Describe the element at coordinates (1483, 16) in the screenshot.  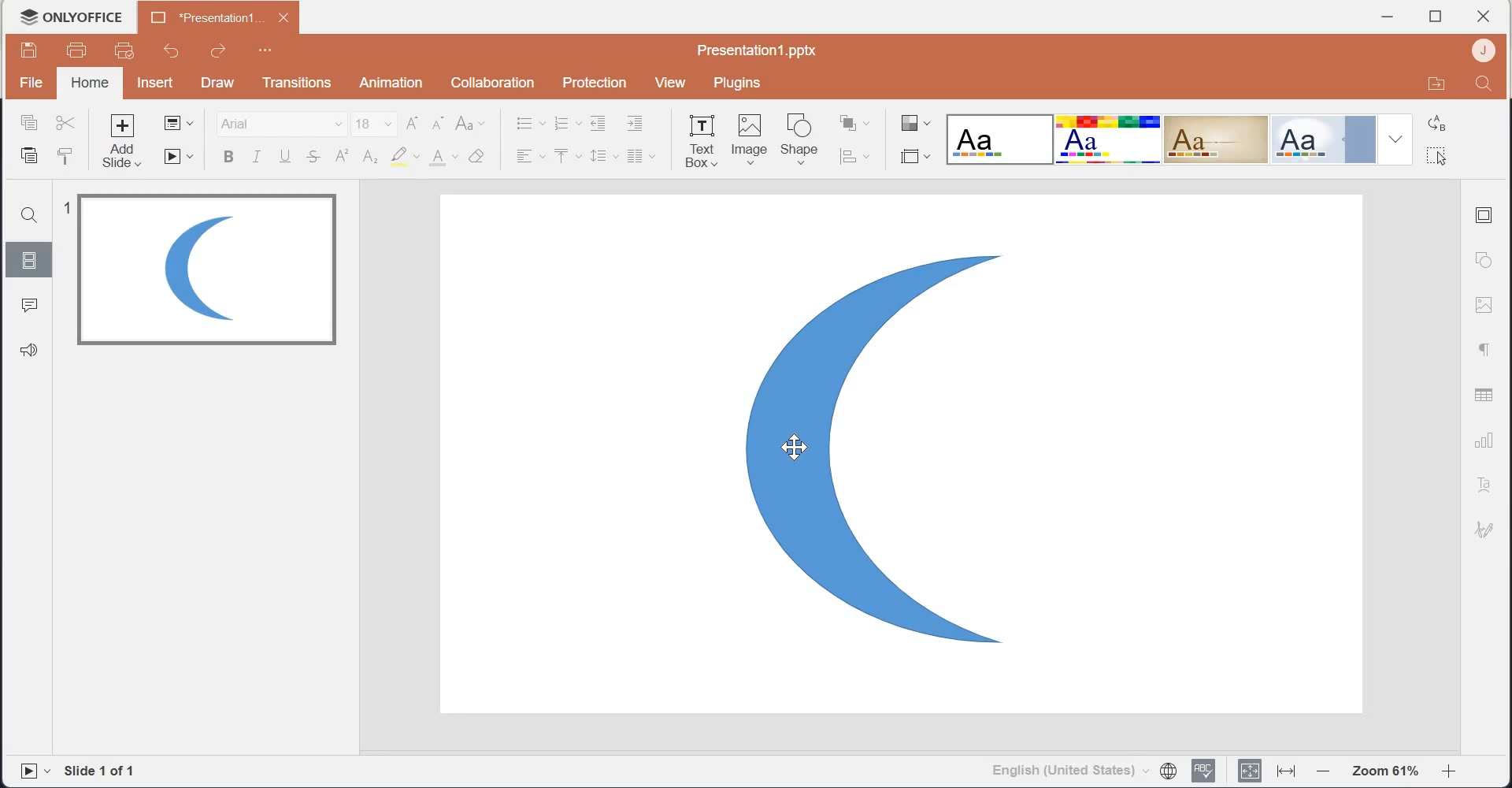
I see `close` at that location.